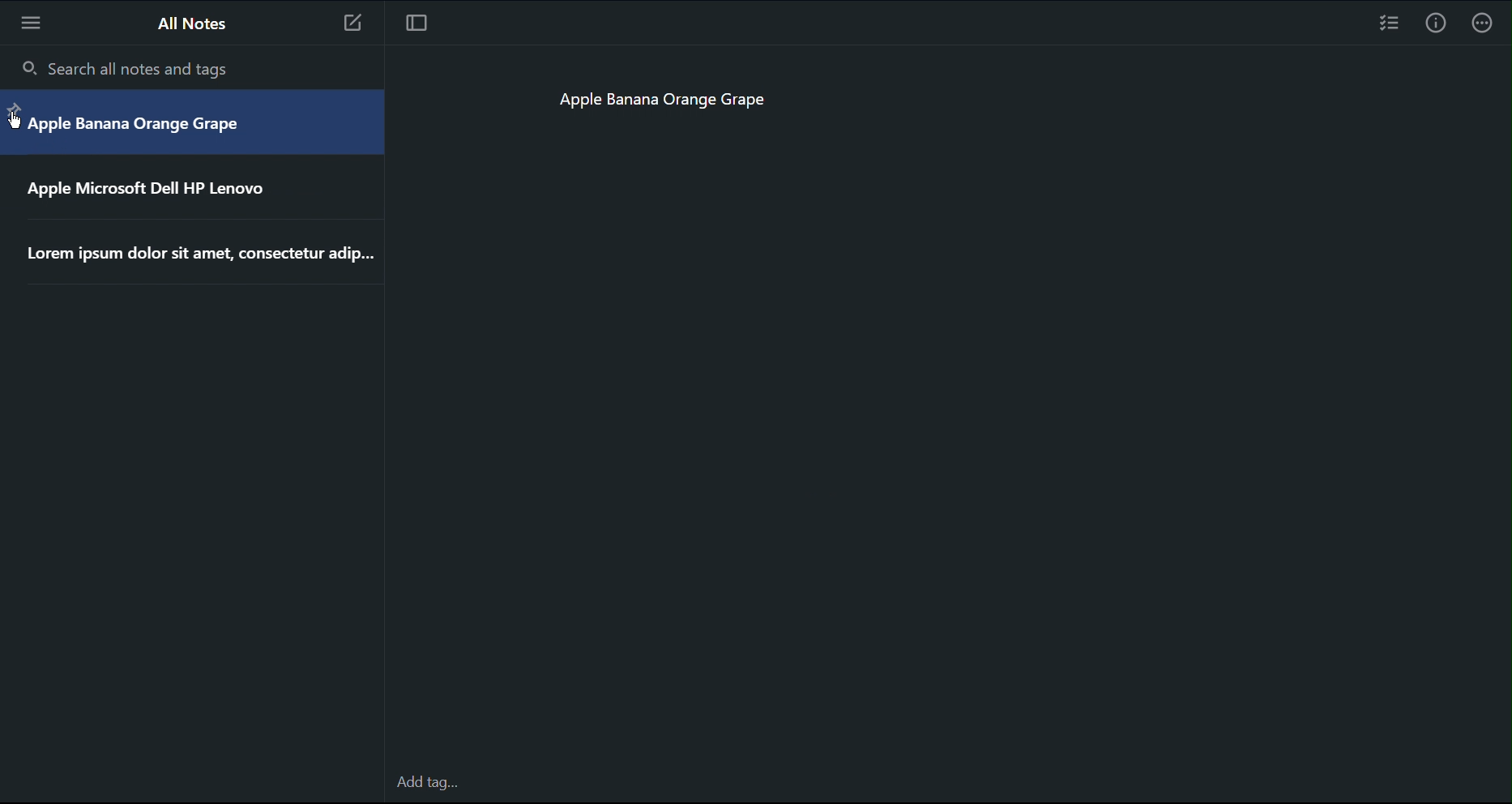  Describe the element at coordinates (12, 118) in the screenshot. I see `Cursor` at that location.